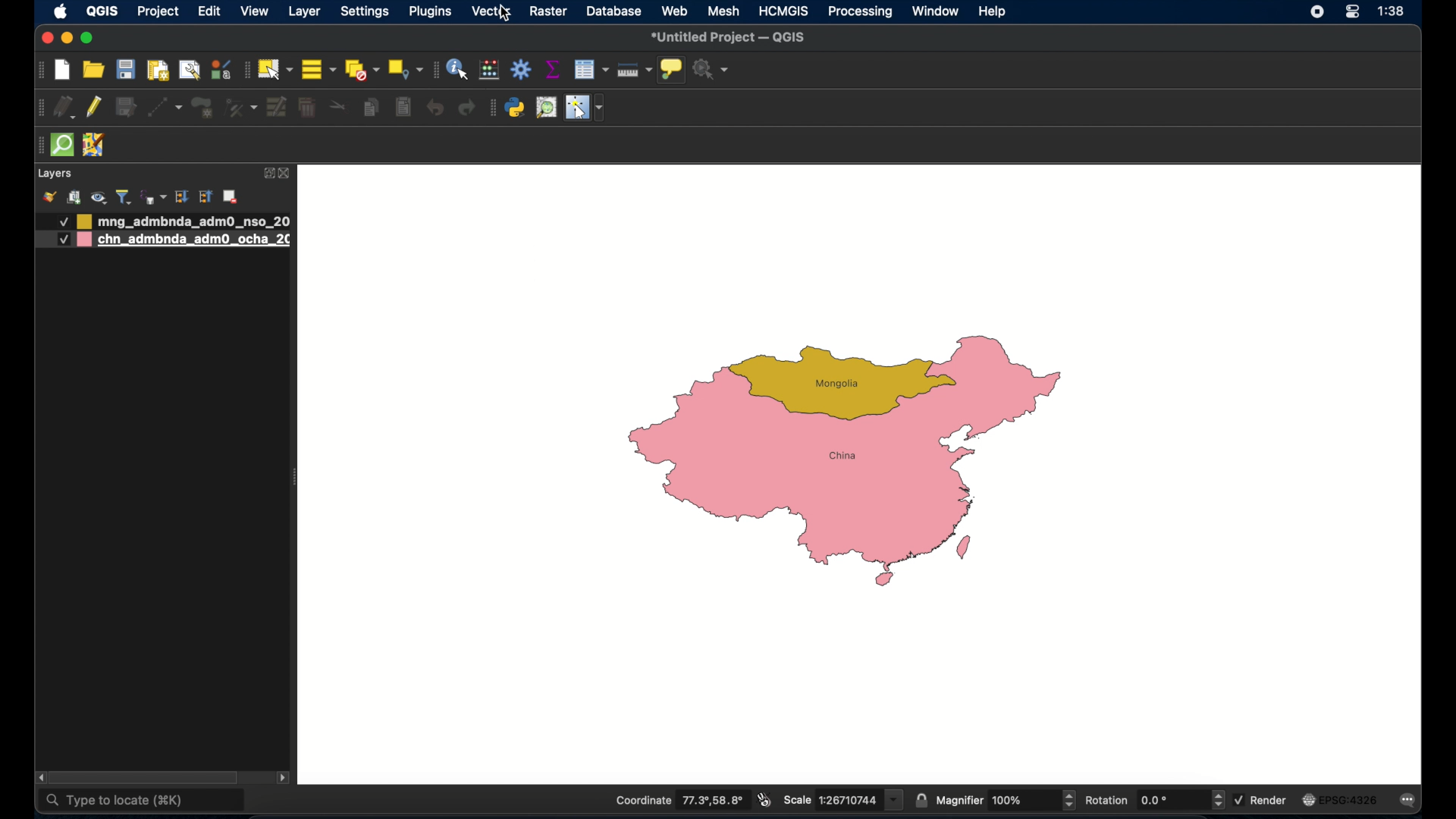  I want to click on toggle mouse extents and display position, so click(764, 800).